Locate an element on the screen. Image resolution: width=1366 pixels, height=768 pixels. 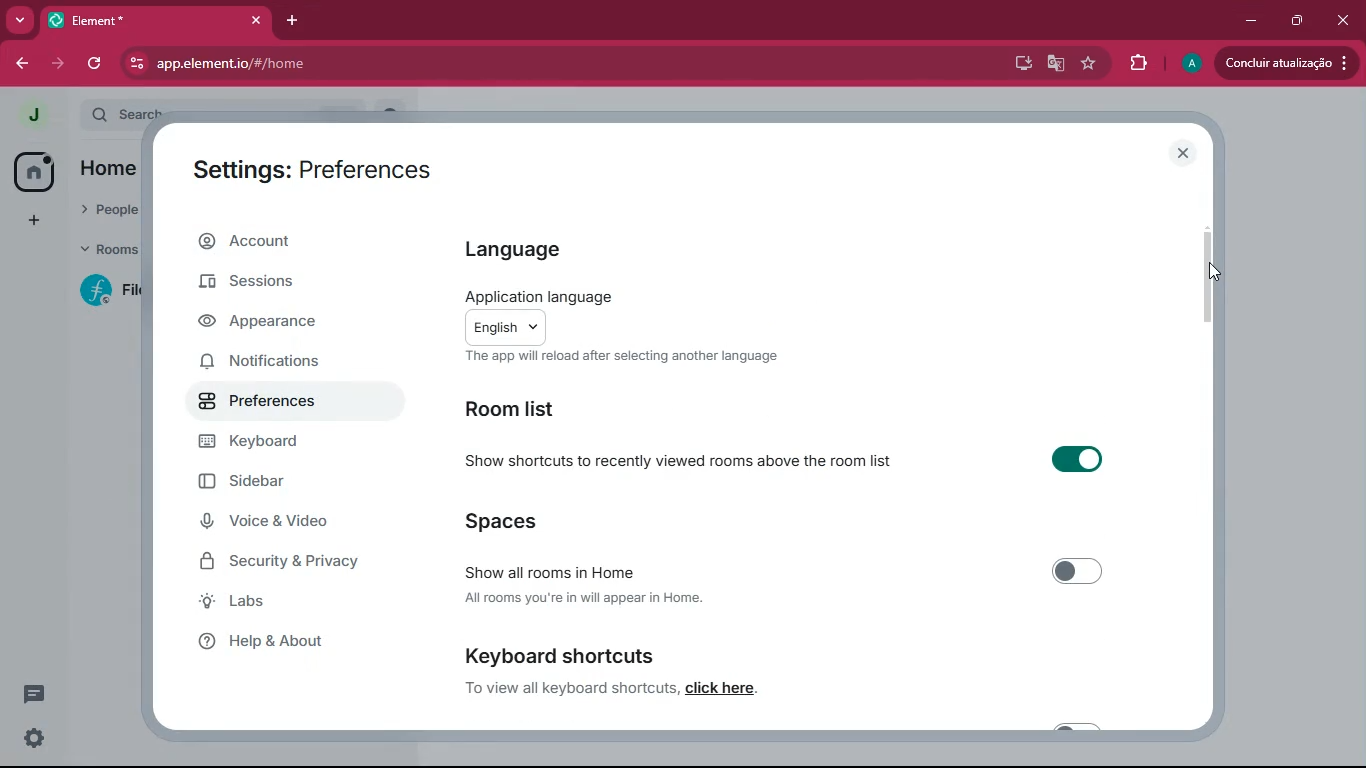
element* is located at coordinates (114, 19).